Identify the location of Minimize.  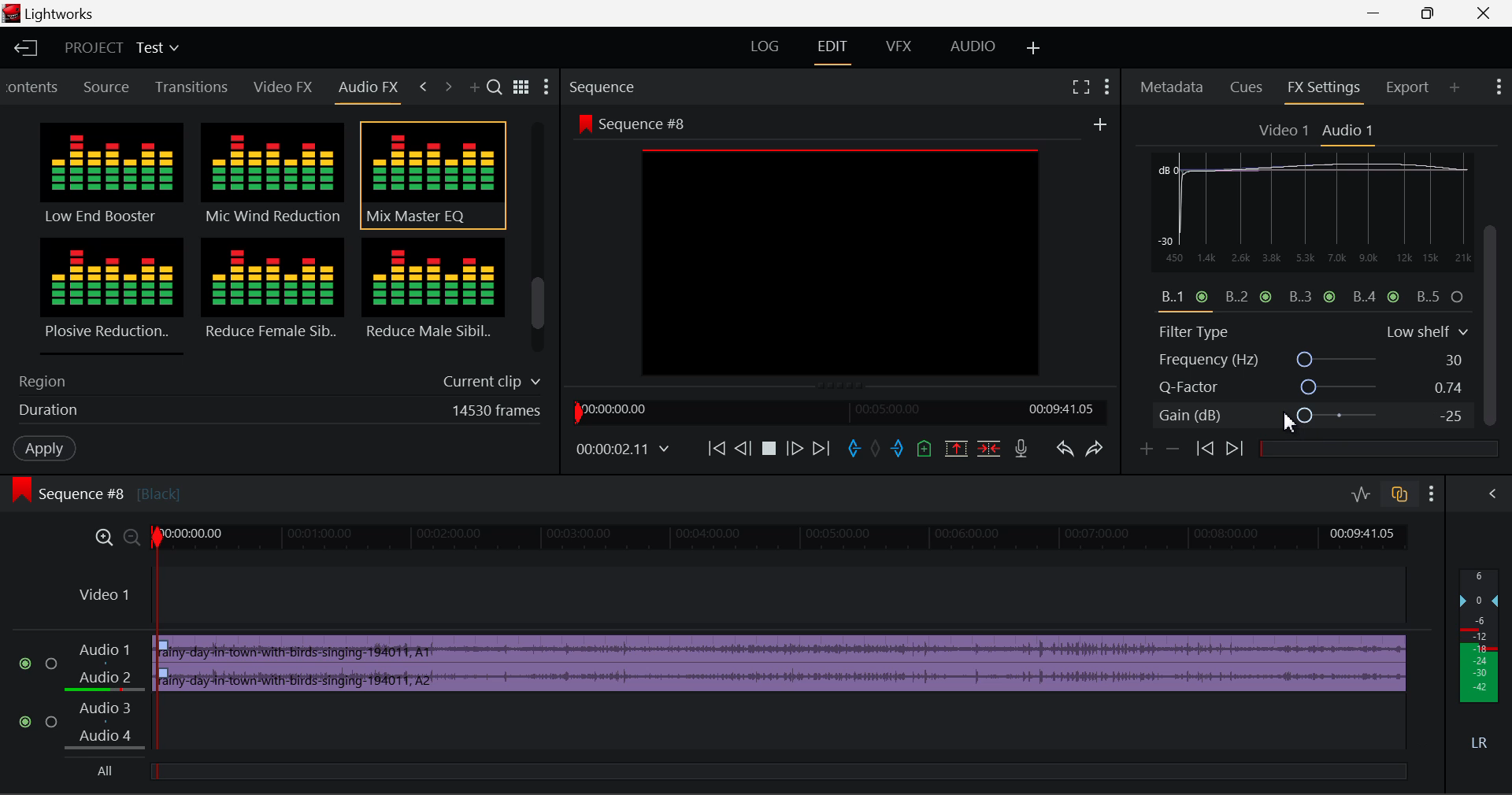
(1435, 13).